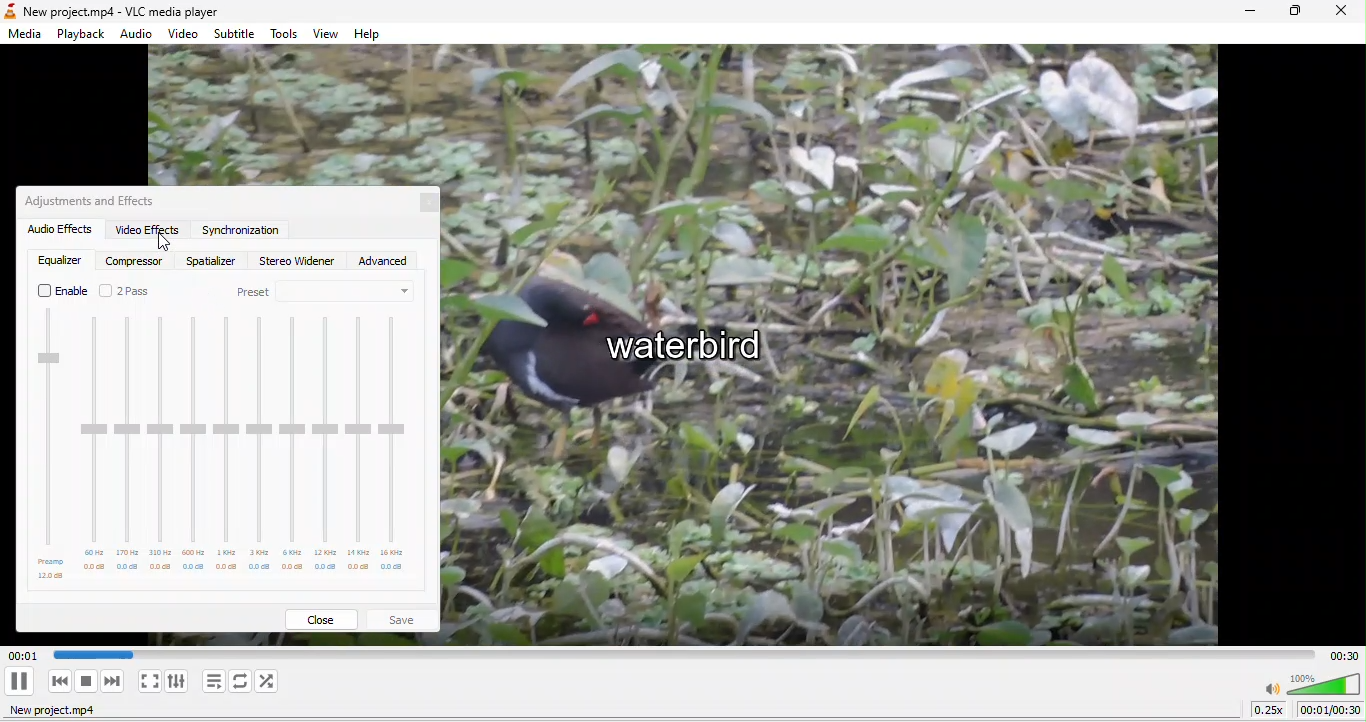  I want to click on 6khz volume bar, so click(293, 446).